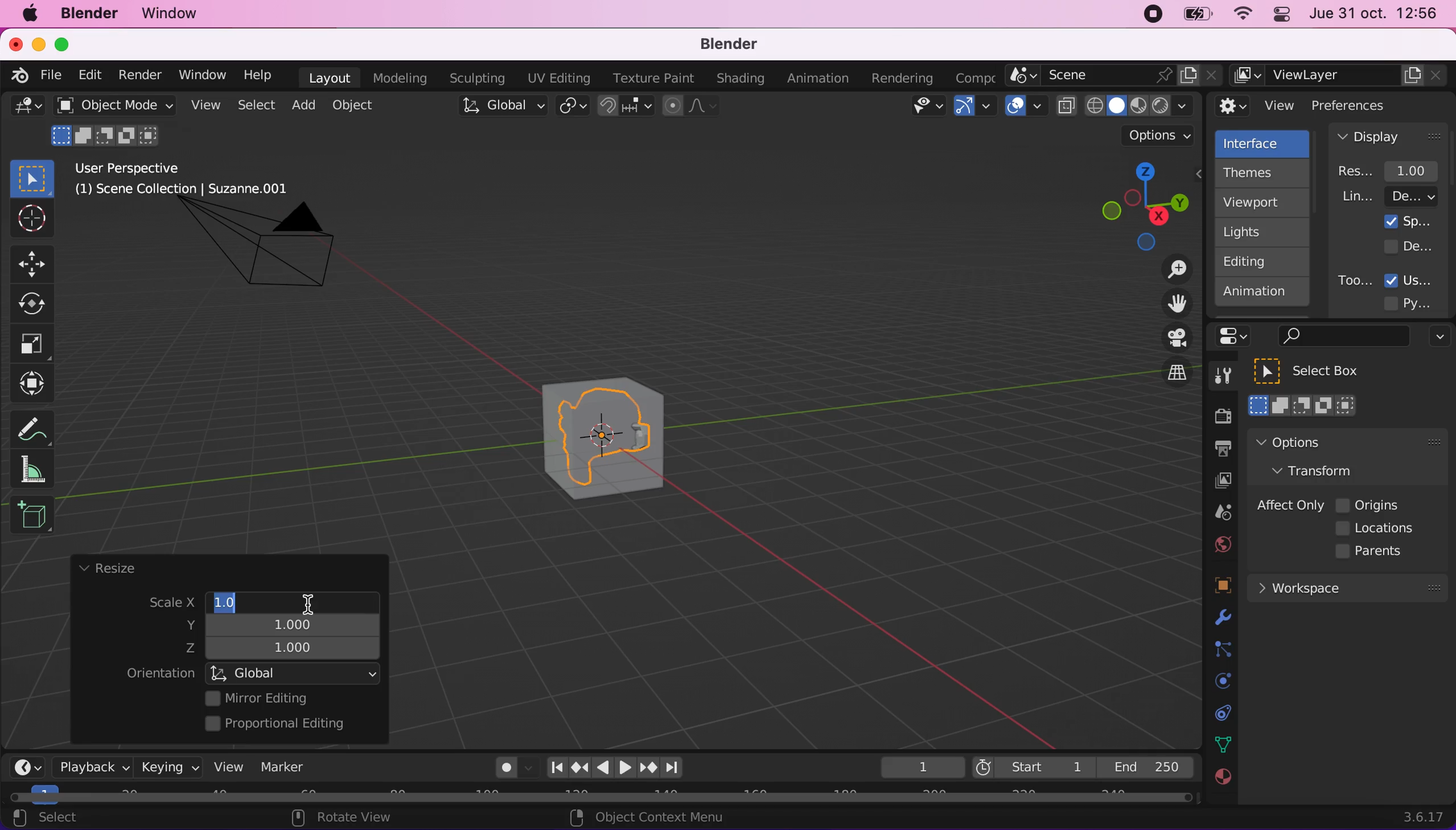 This screenshot has width=1456, height=830. I want to click on world, so click(1220, 543).